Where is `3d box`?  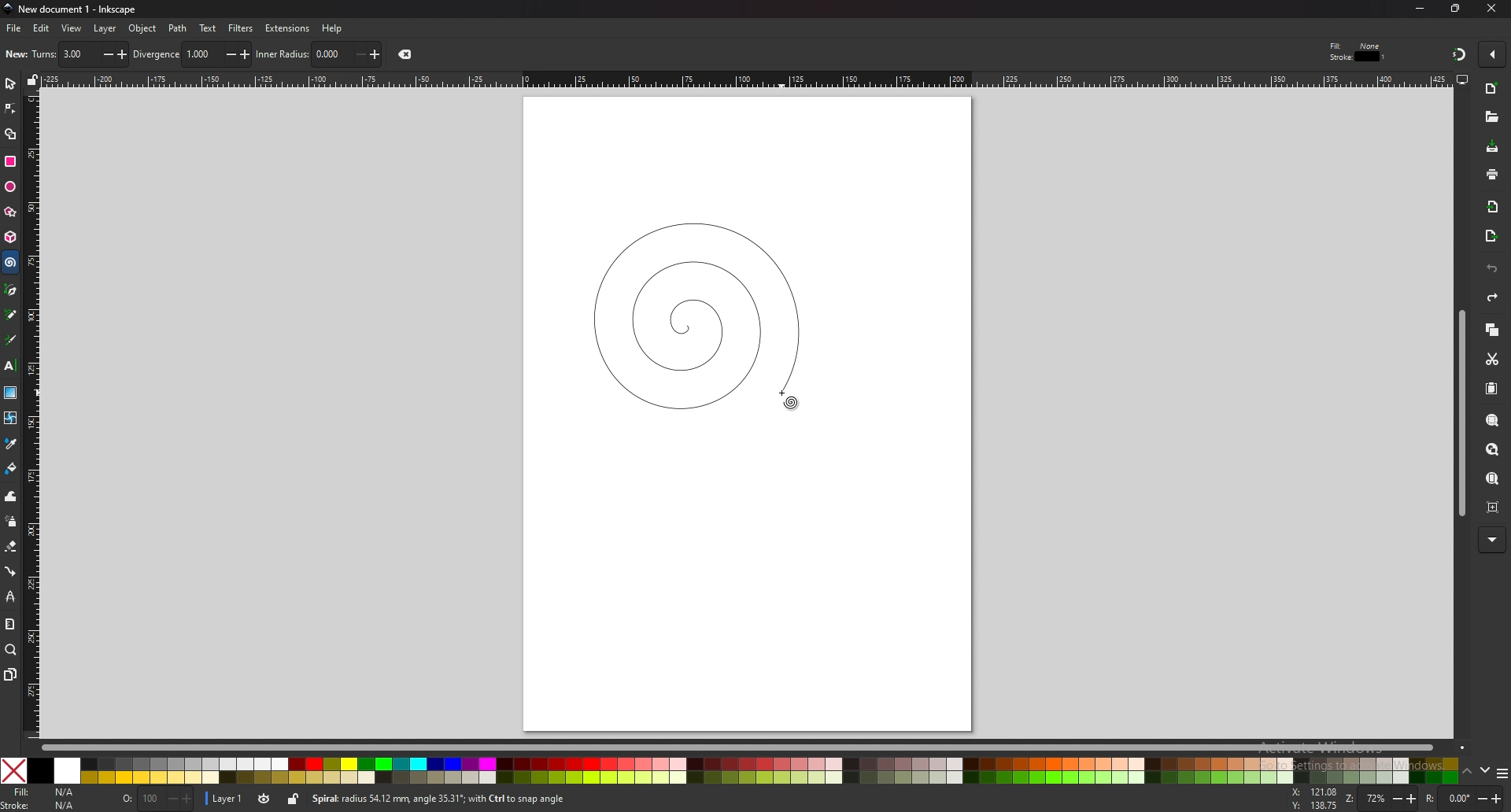
3d box is located at coordinates (10, 238).